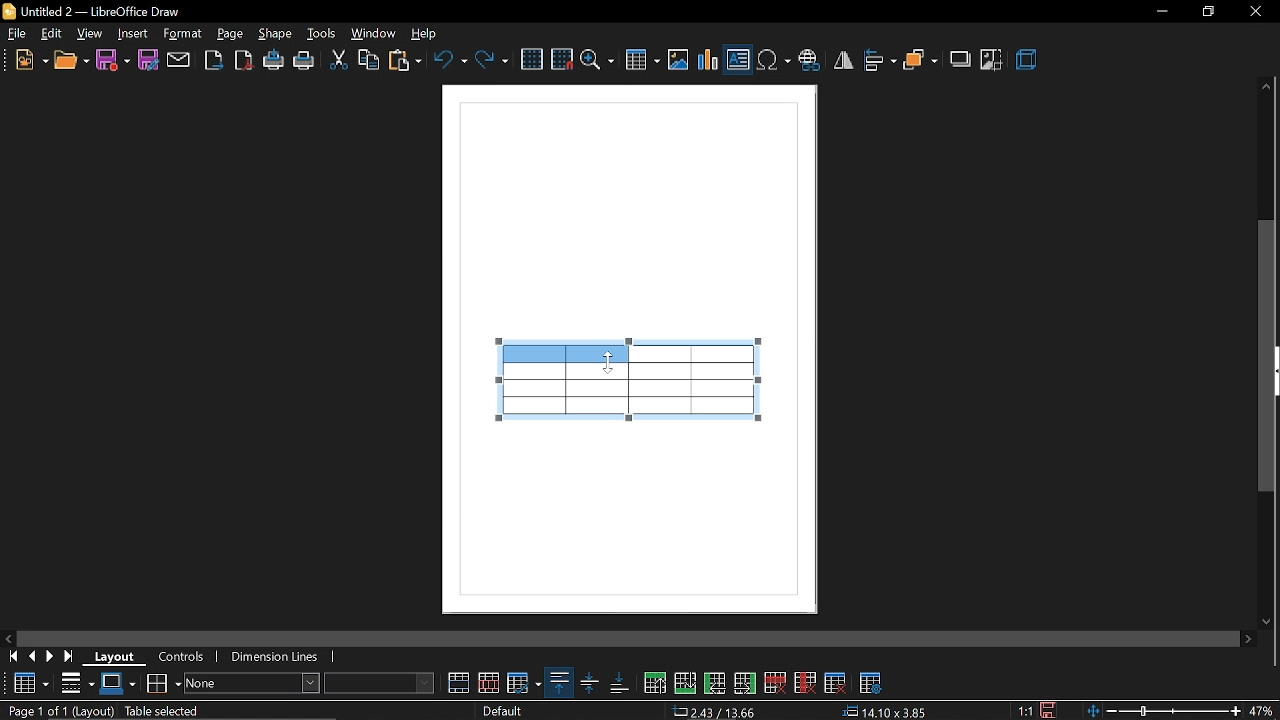  What do you see at coordinates (119, 657) in the screenshot?
I see `layout` at bounding box center [119, 657].